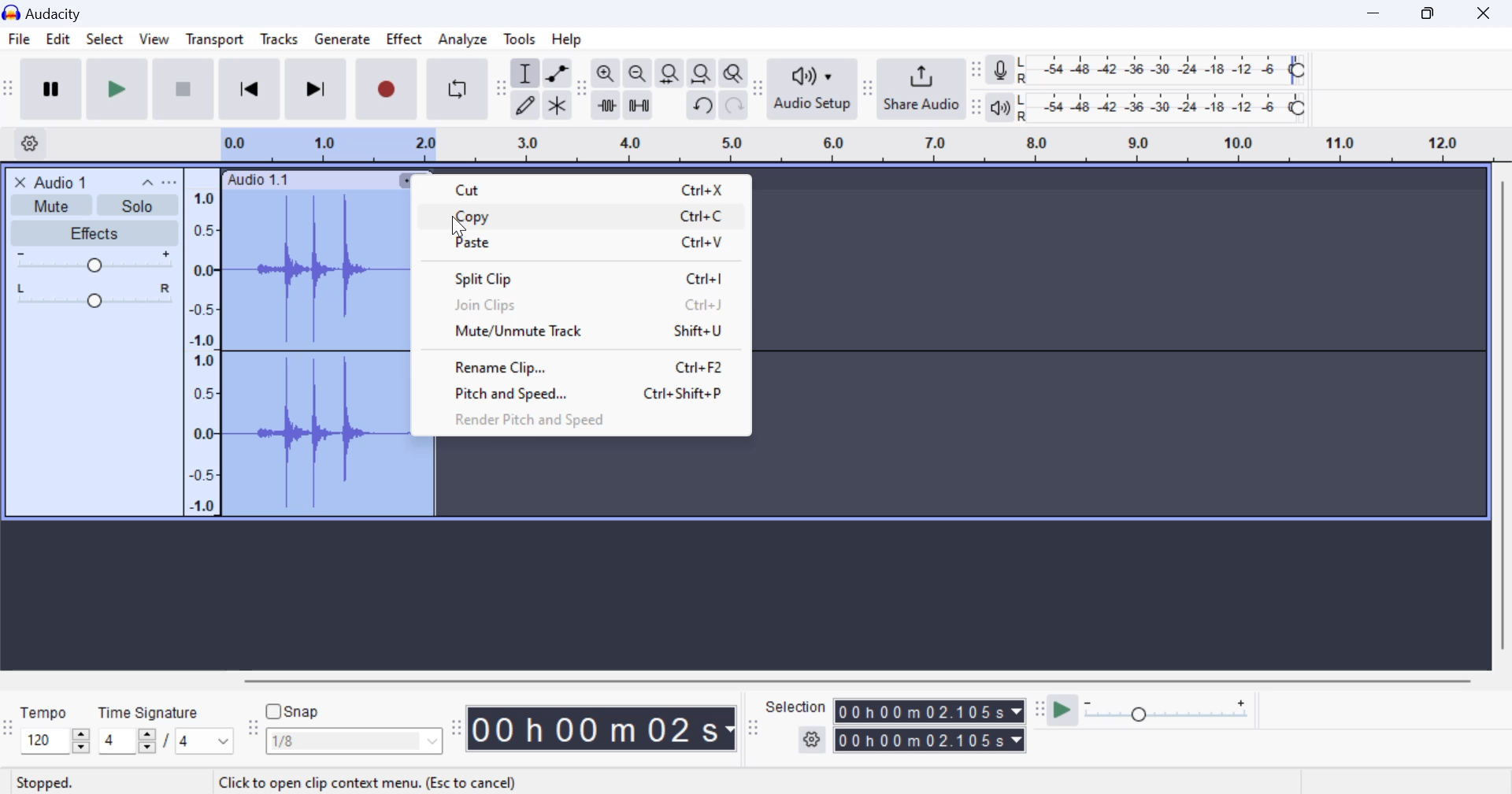  I want to click on multi tool, so click(558, 106).